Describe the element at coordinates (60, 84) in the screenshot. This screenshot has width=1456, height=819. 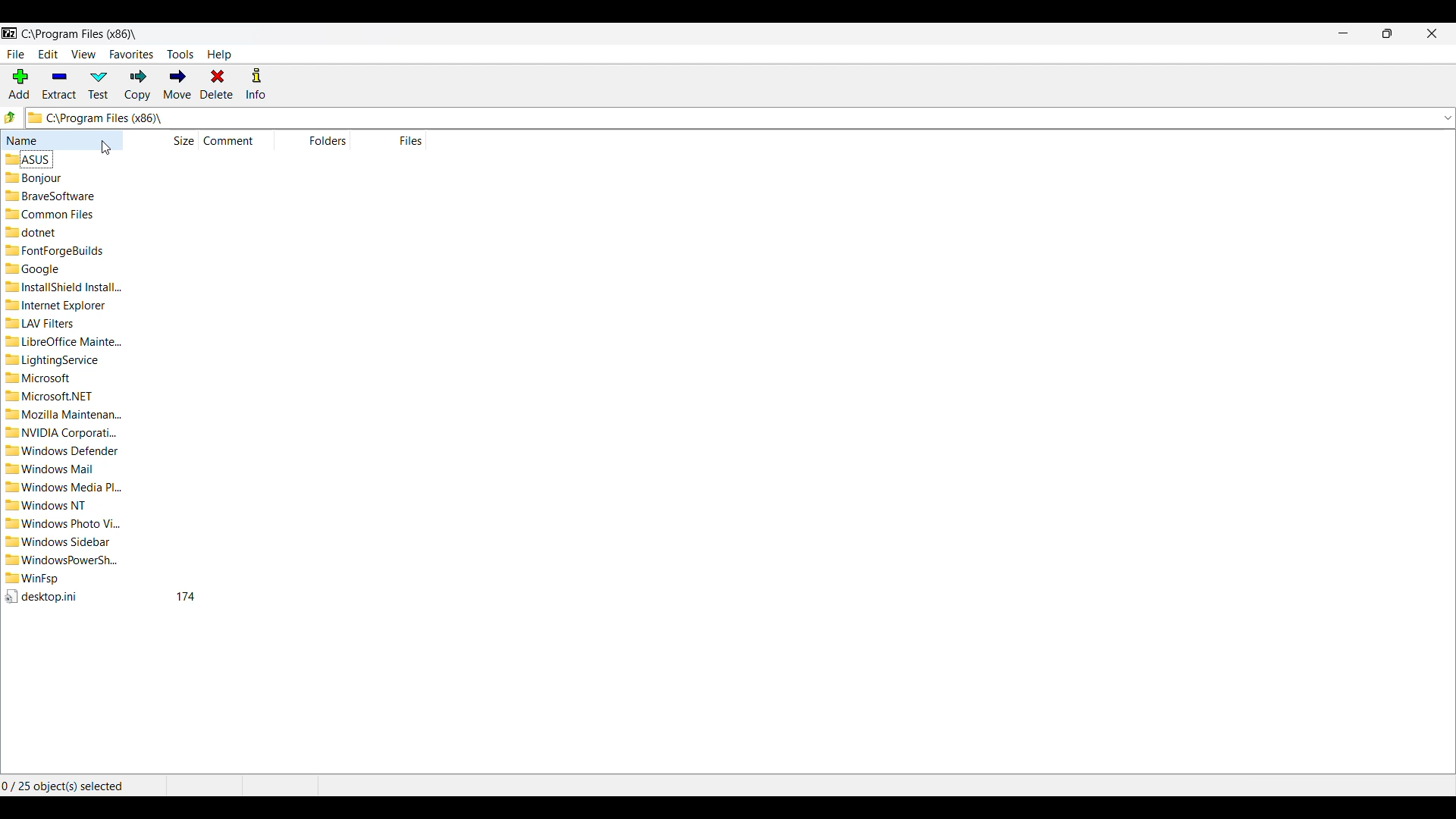
I see `Extract` at that location.